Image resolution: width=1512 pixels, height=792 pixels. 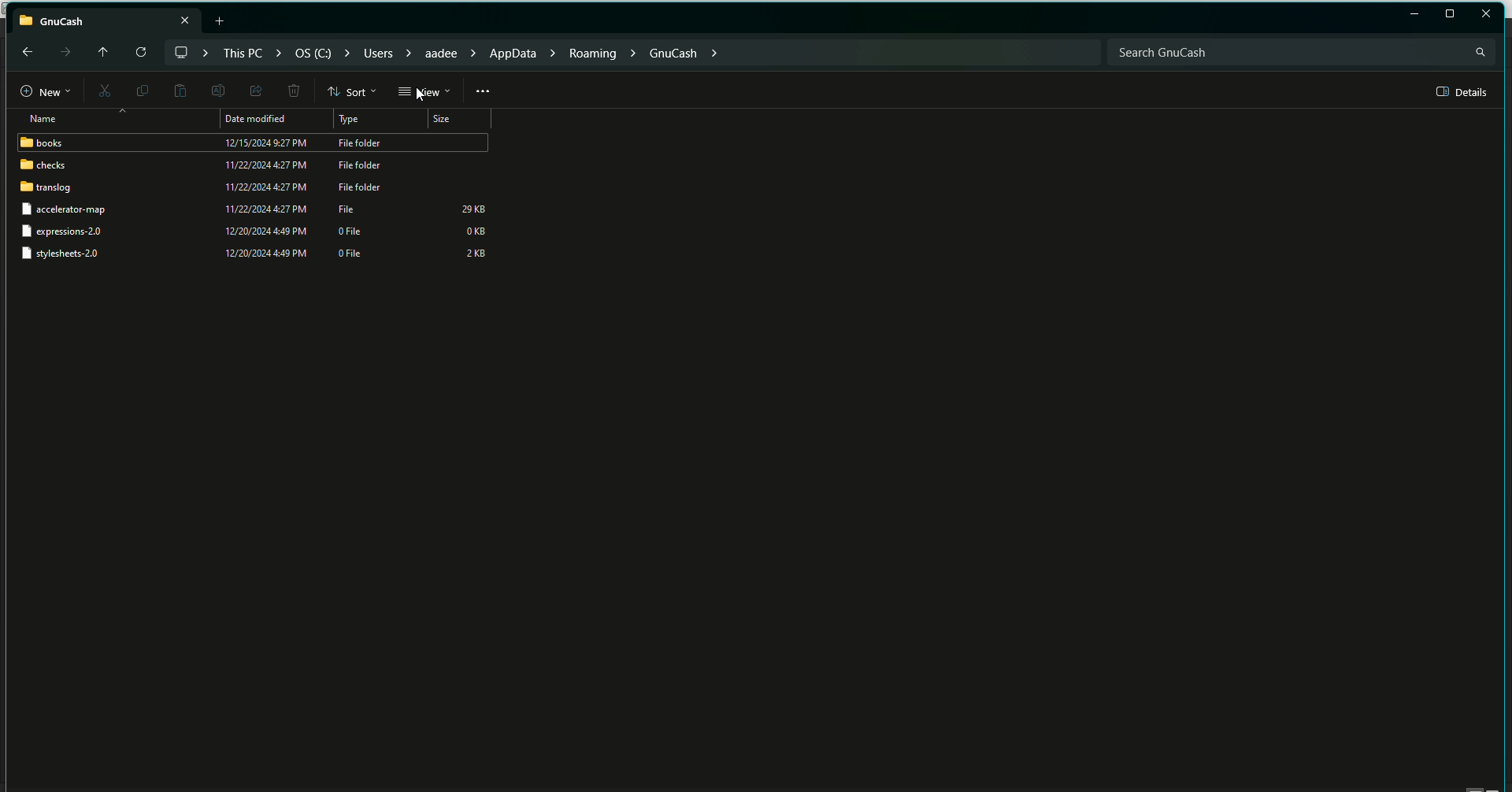 I want to click on Forward, so click(x=64, y=52).